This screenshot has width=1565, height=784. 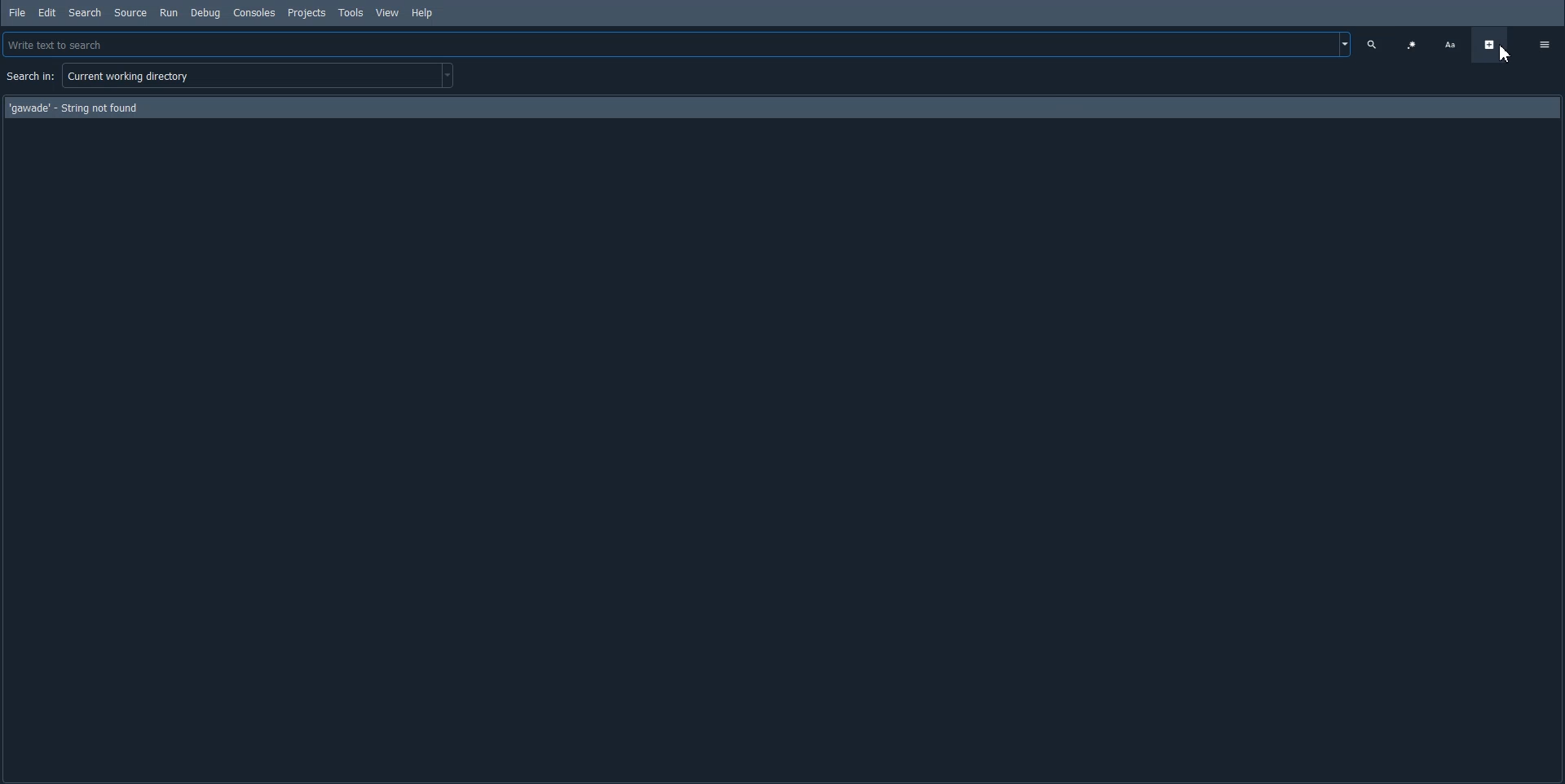 What do you see at coordinates (1490, 45) in the screenshot?
I see `Hide advance option` at bounding box center [1490, 45].